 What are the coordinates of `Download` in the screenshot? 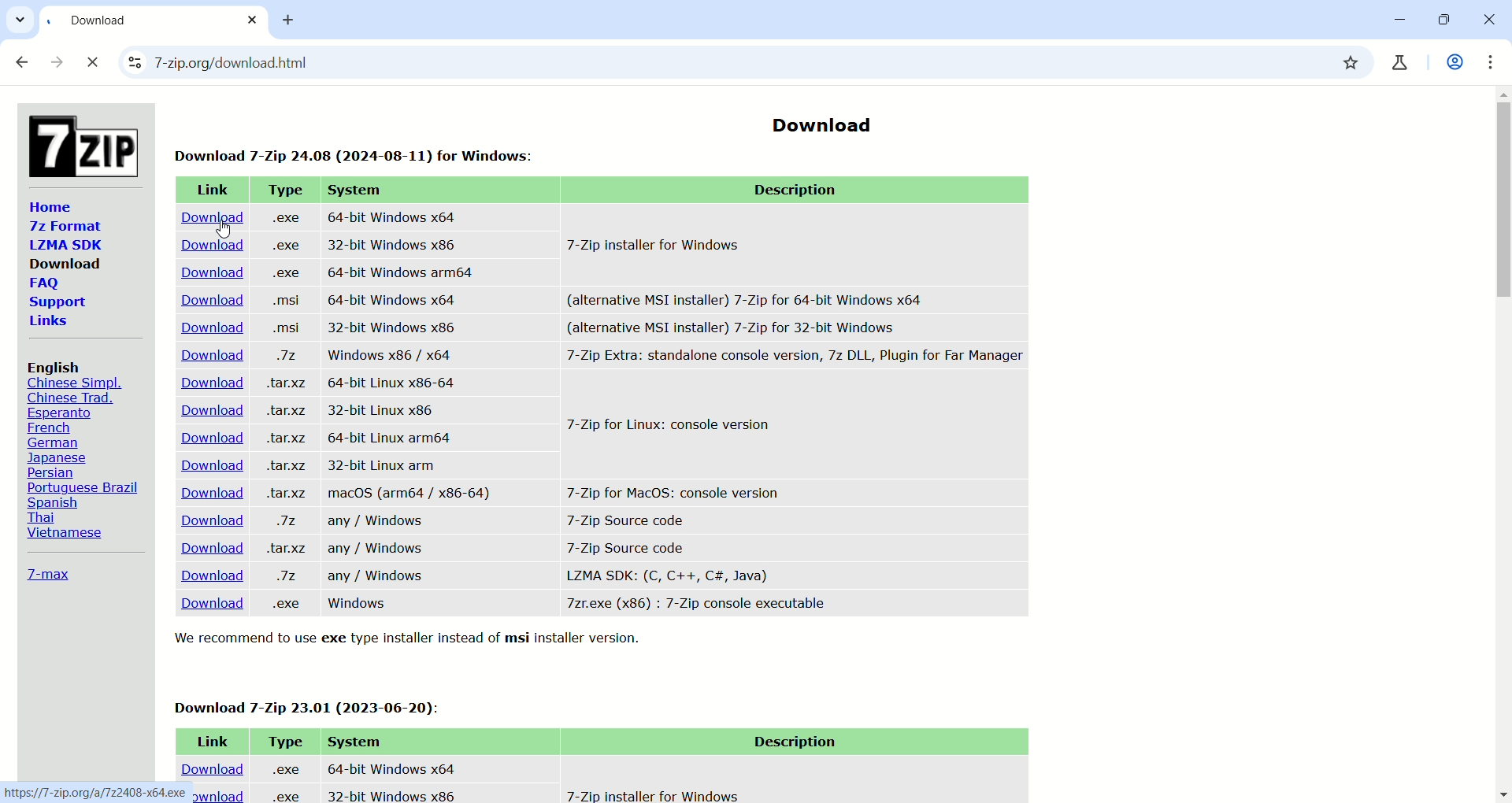 It's located at (202, 575).